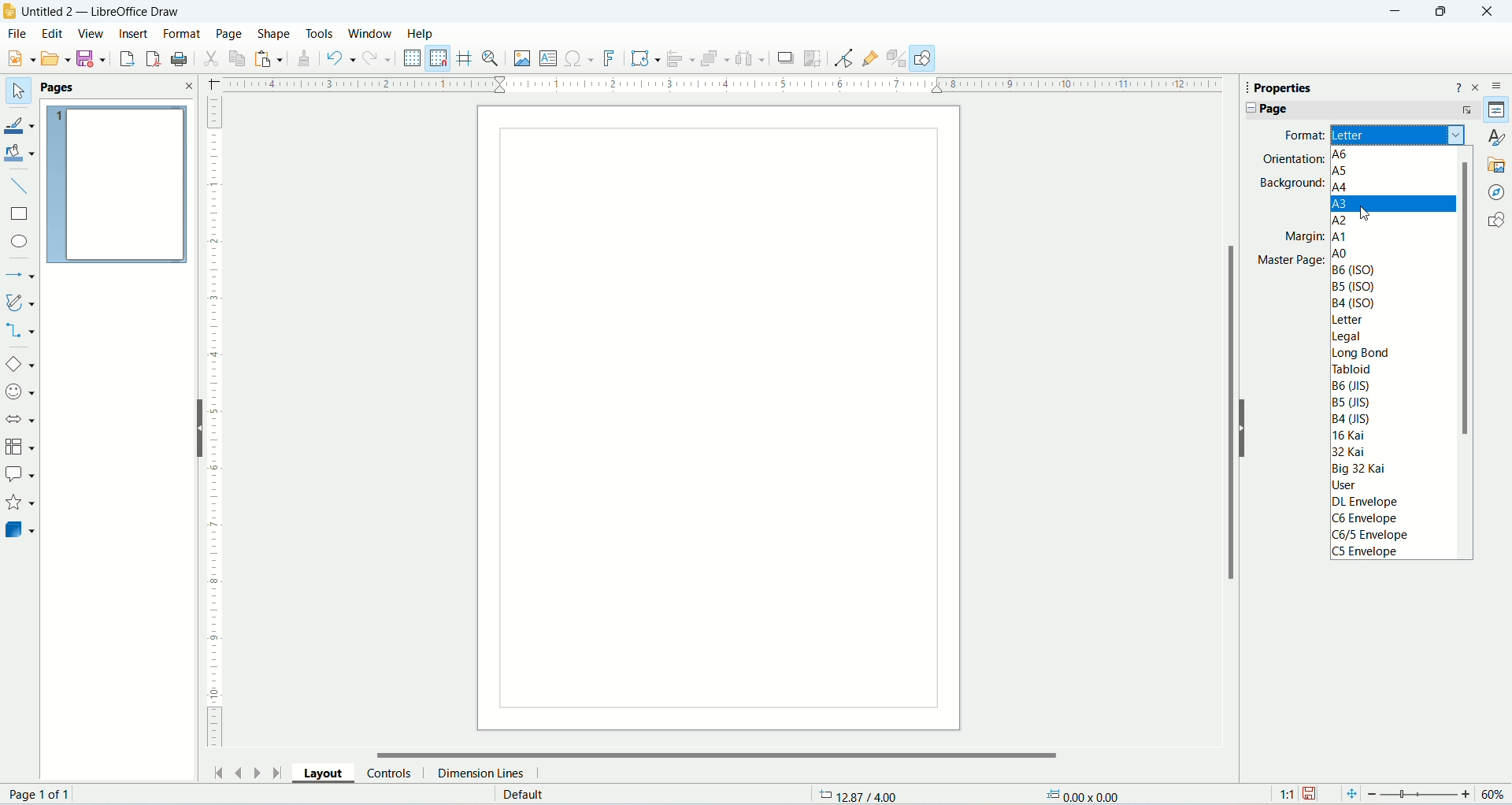 The height and width of the screenshot is (805, 1512). I want to click on logo, so click(10, 12).